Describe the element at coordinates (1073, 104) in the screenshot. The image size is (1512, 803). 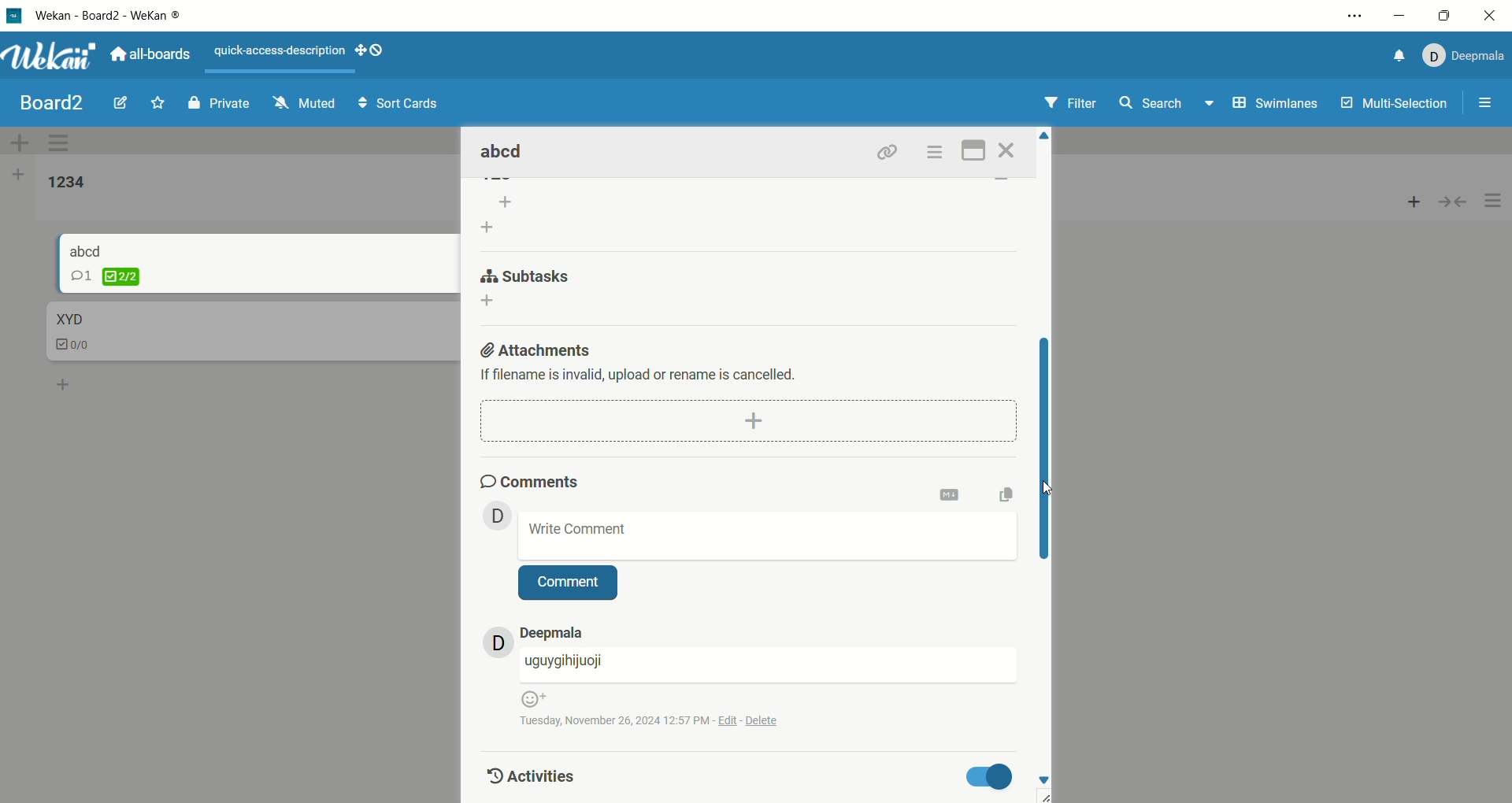
I see `filter` at that location.